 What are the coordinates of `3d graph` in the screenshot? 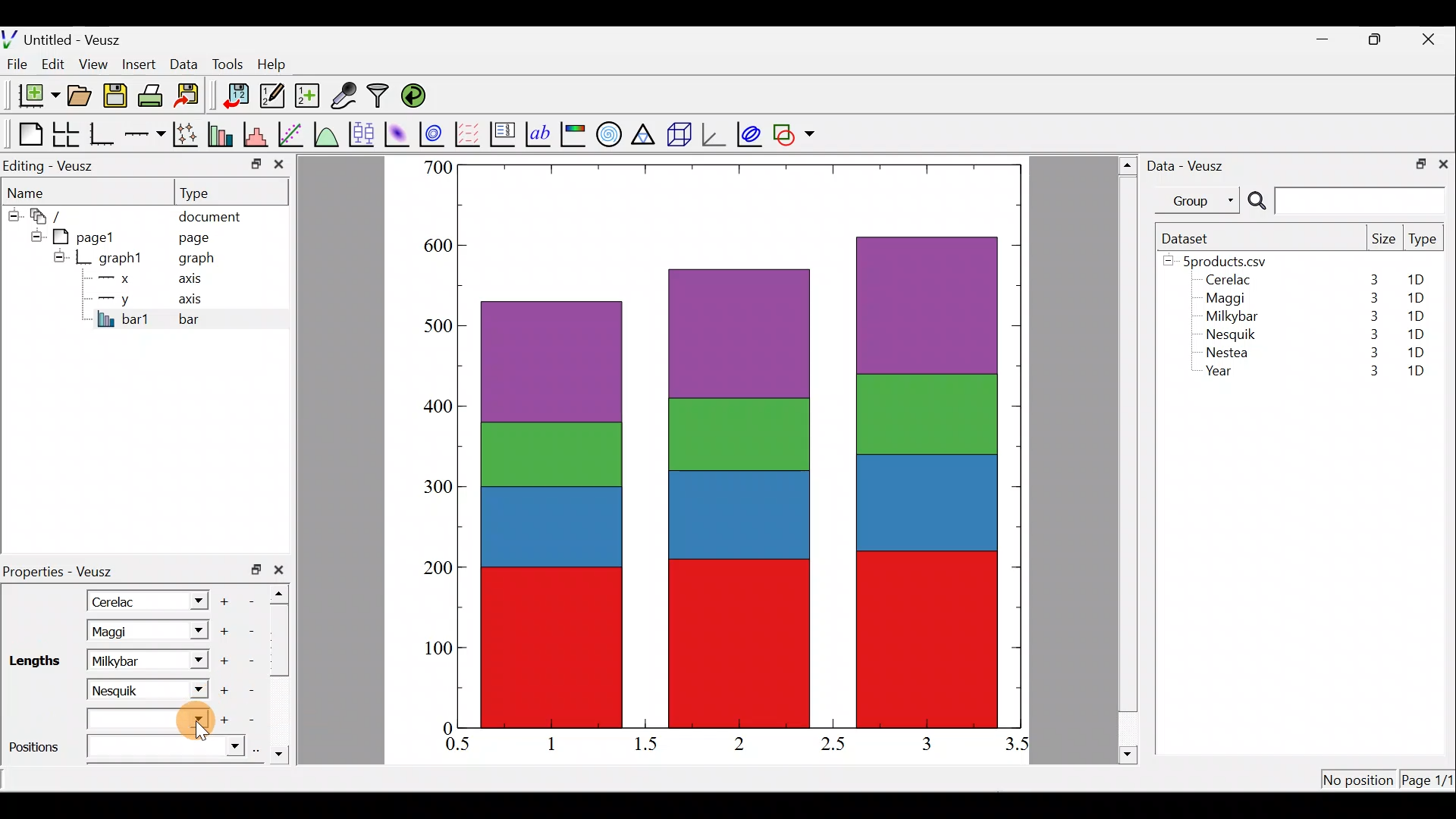 It's located at (714, 133).